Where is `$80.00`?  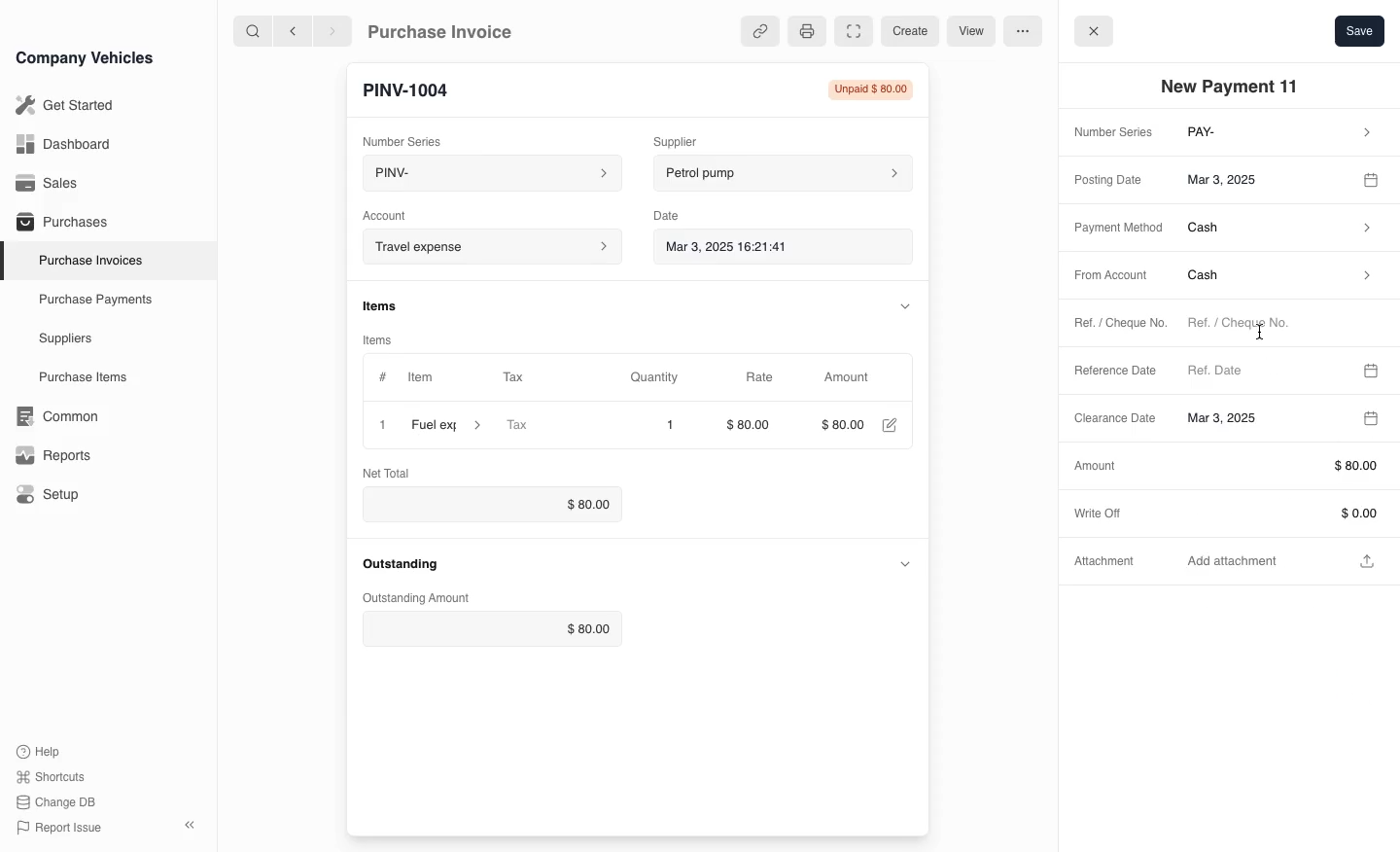
$80.00 is located at coordinates (495, 629).